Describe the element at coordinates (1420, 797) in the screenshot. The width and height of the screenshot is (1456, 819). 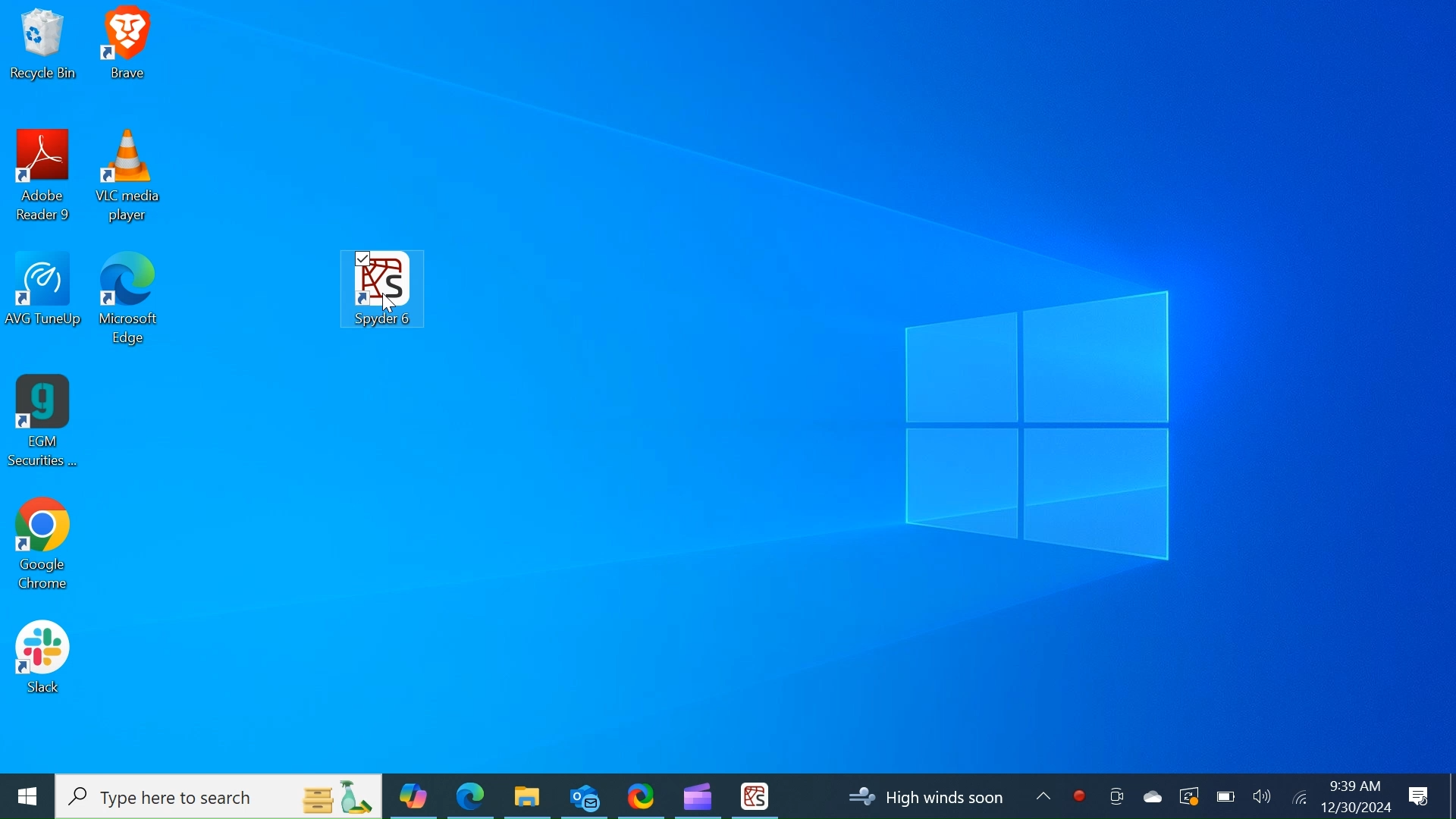
I see `Notification` at that location.